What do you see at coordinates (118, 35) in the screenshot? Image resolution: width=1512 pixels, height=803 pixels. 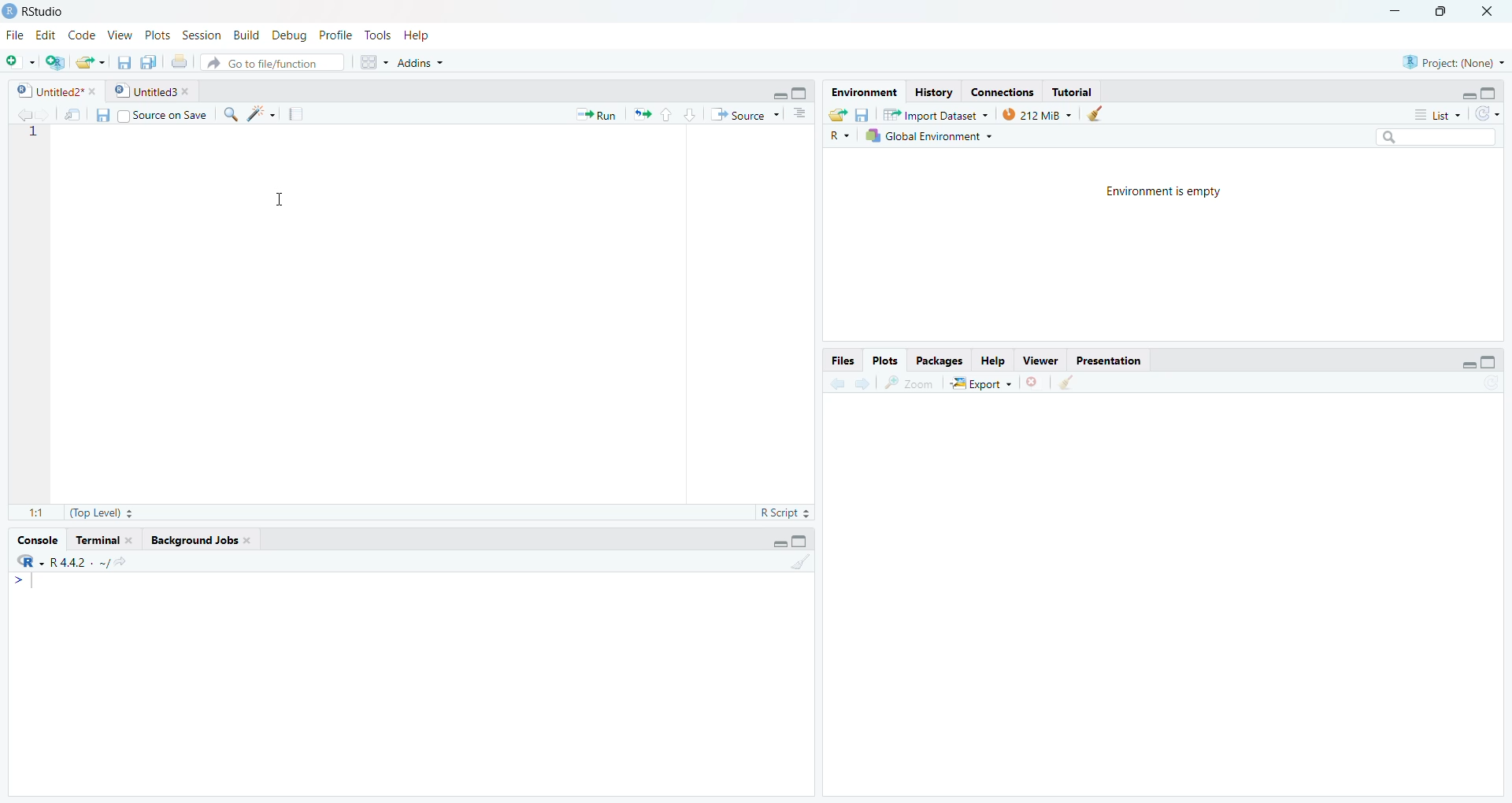 I see `view` at bounding box center [118, 35].